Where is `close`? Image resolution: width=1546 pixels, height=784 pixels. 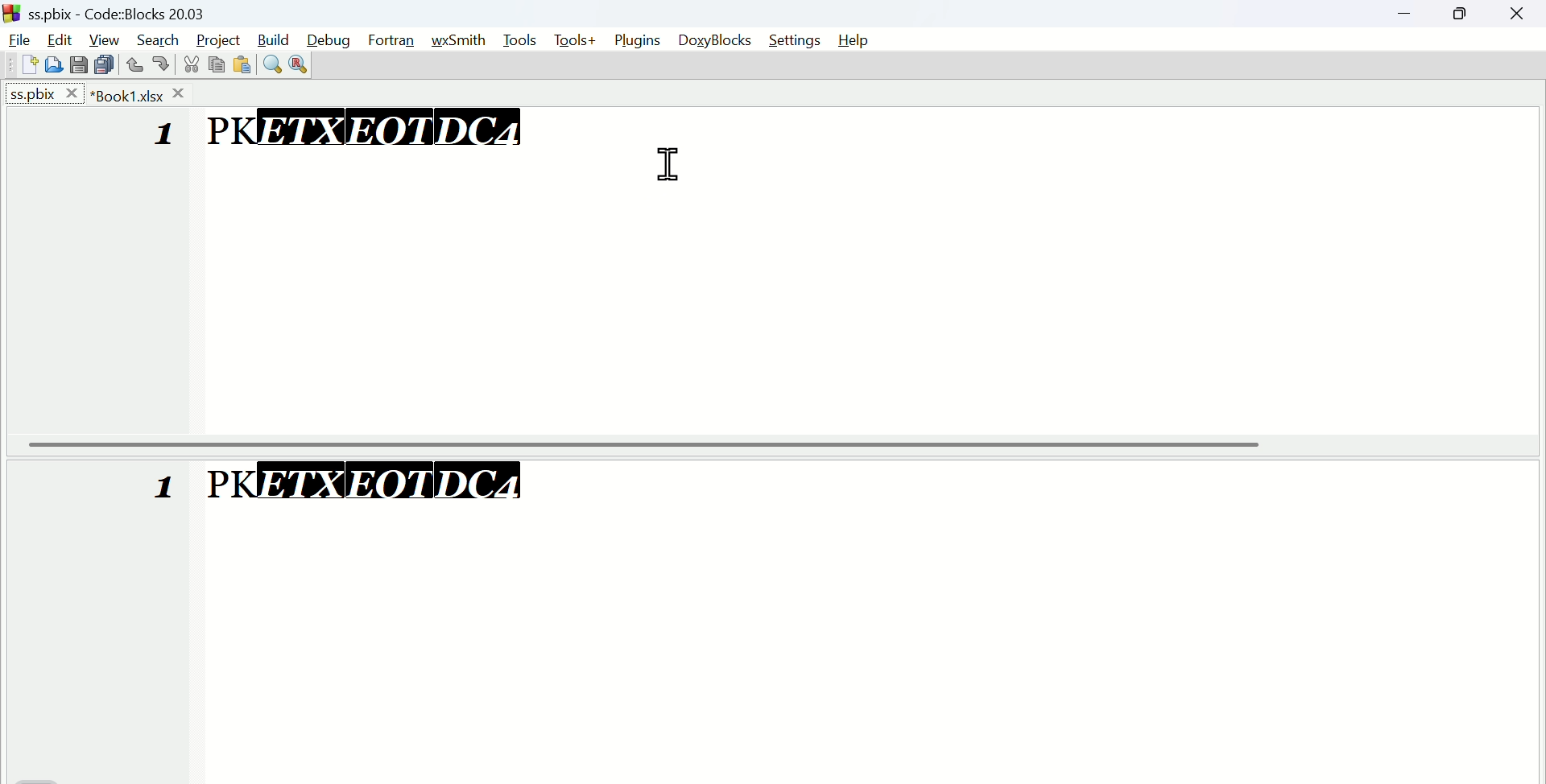 close is located at coordinates (1518, 14).